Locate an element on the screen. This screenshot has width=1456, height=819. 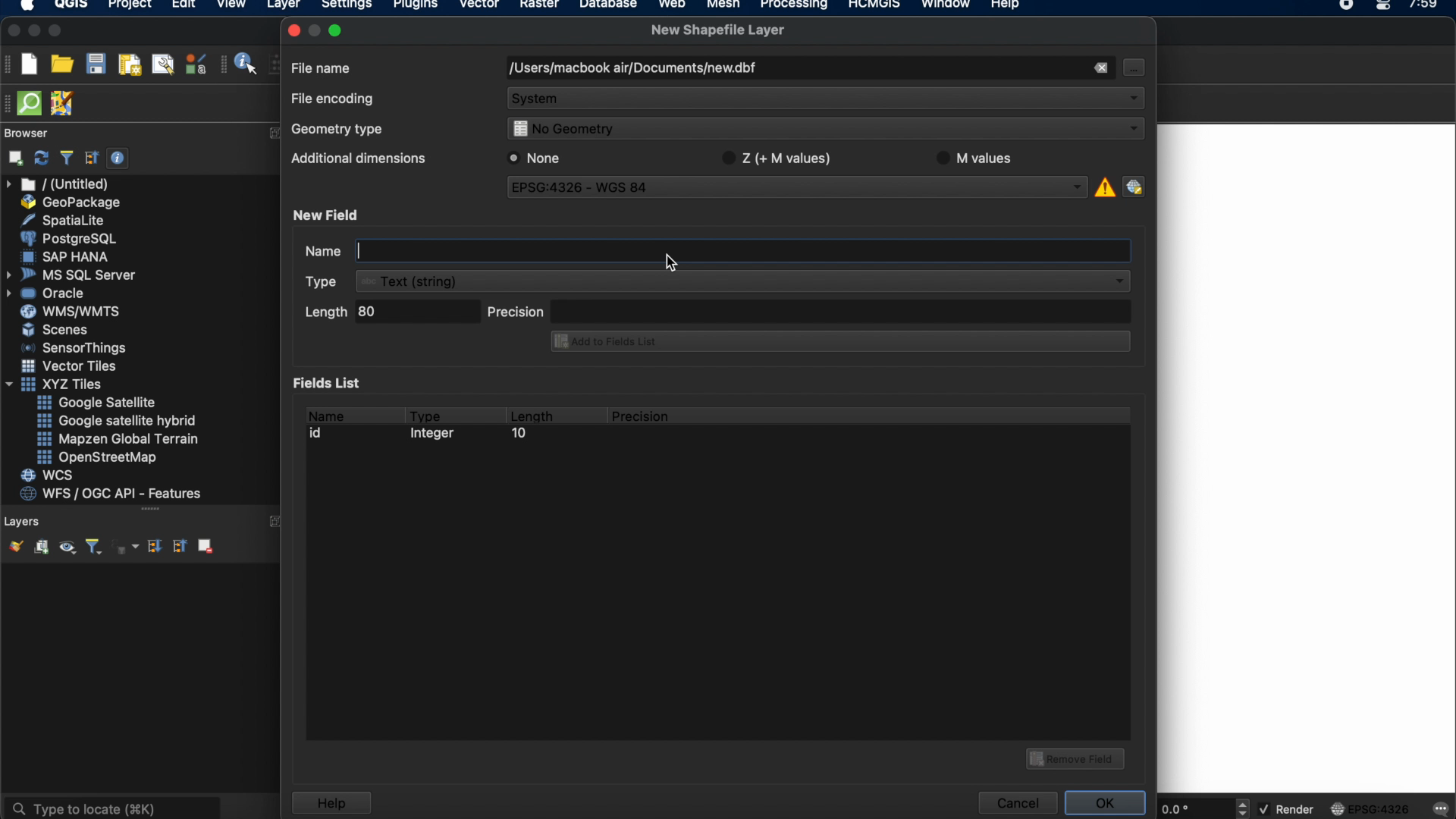
new shaoefile layer is located at coordinates (718, 30).